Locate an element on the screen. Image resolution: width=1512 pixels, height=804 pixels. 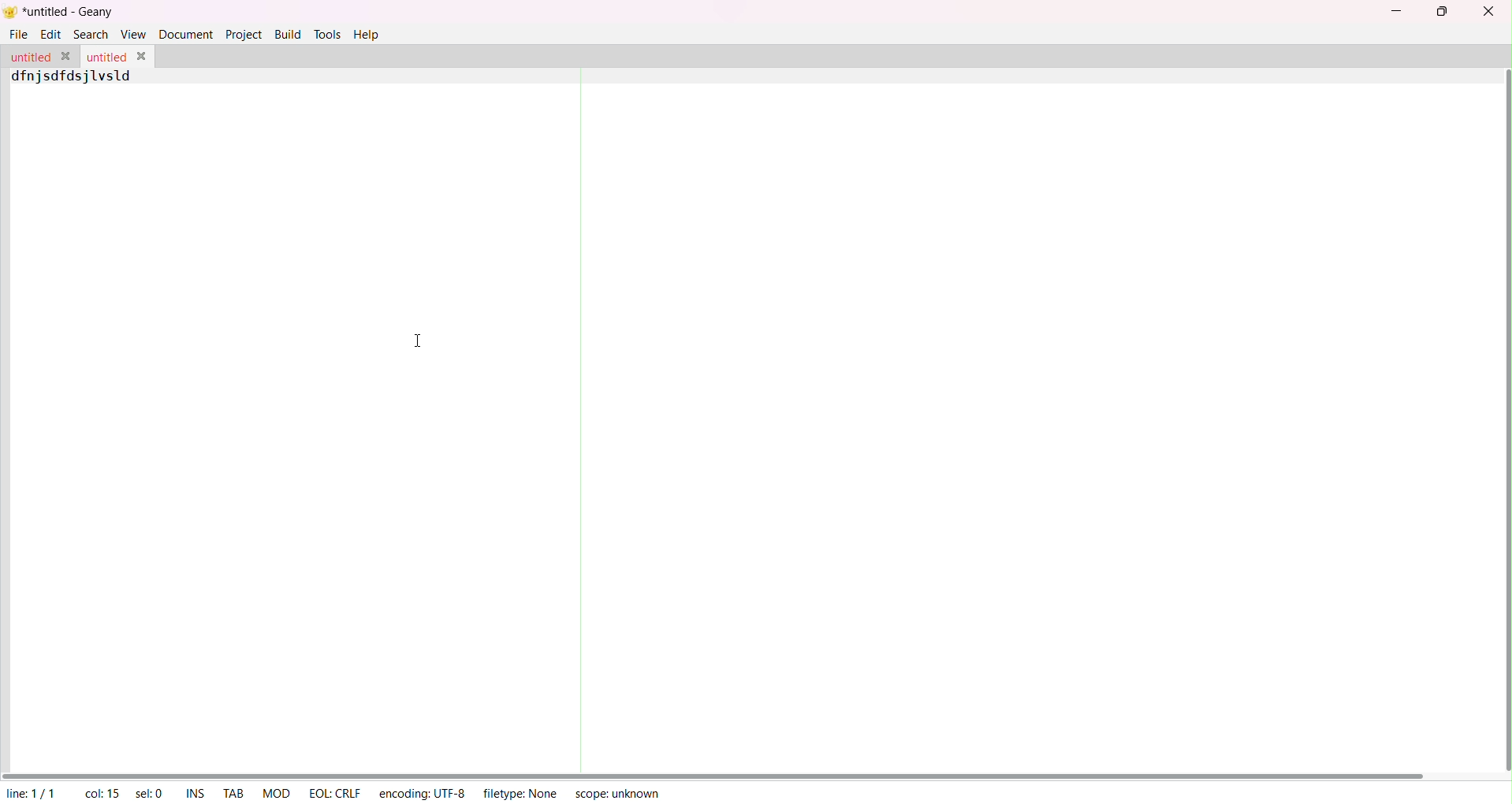
document is located at coordinates (188, 35).